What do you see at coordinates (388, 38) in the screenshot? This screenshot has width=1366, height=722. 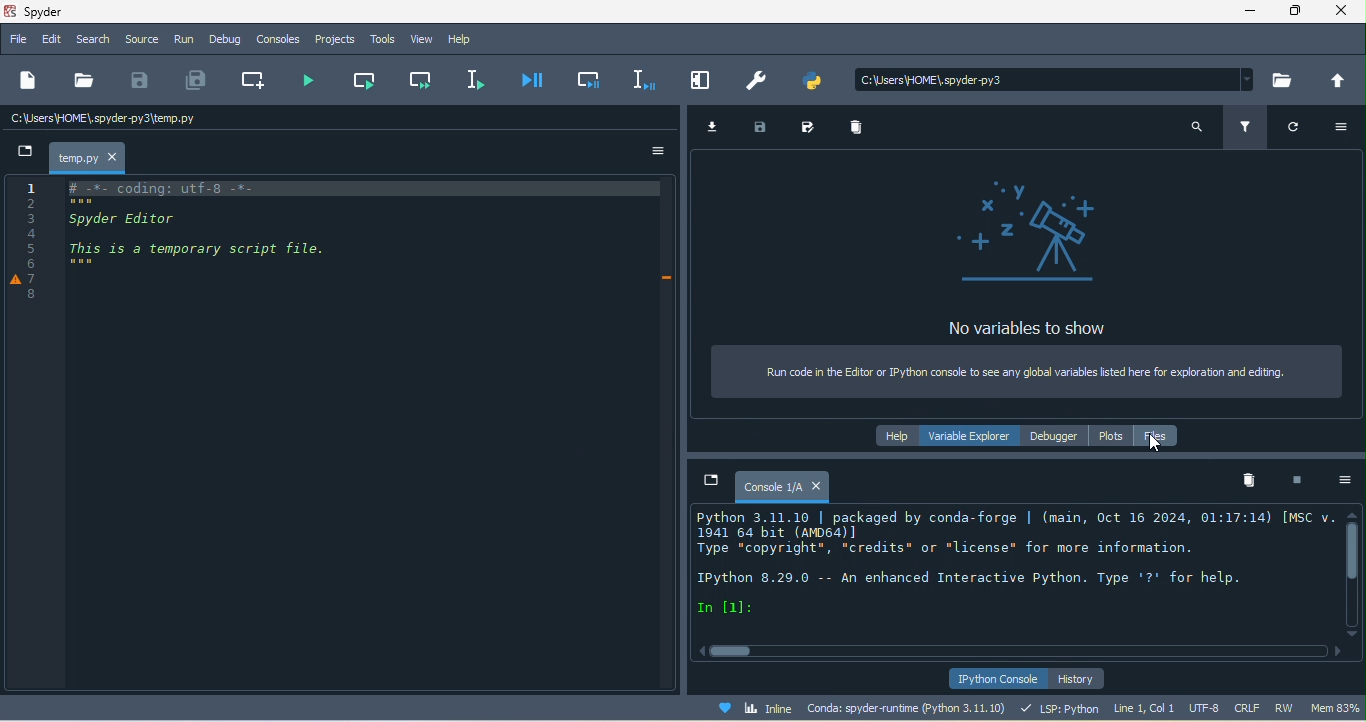 I see `tools` at bounding box center [388, 38].